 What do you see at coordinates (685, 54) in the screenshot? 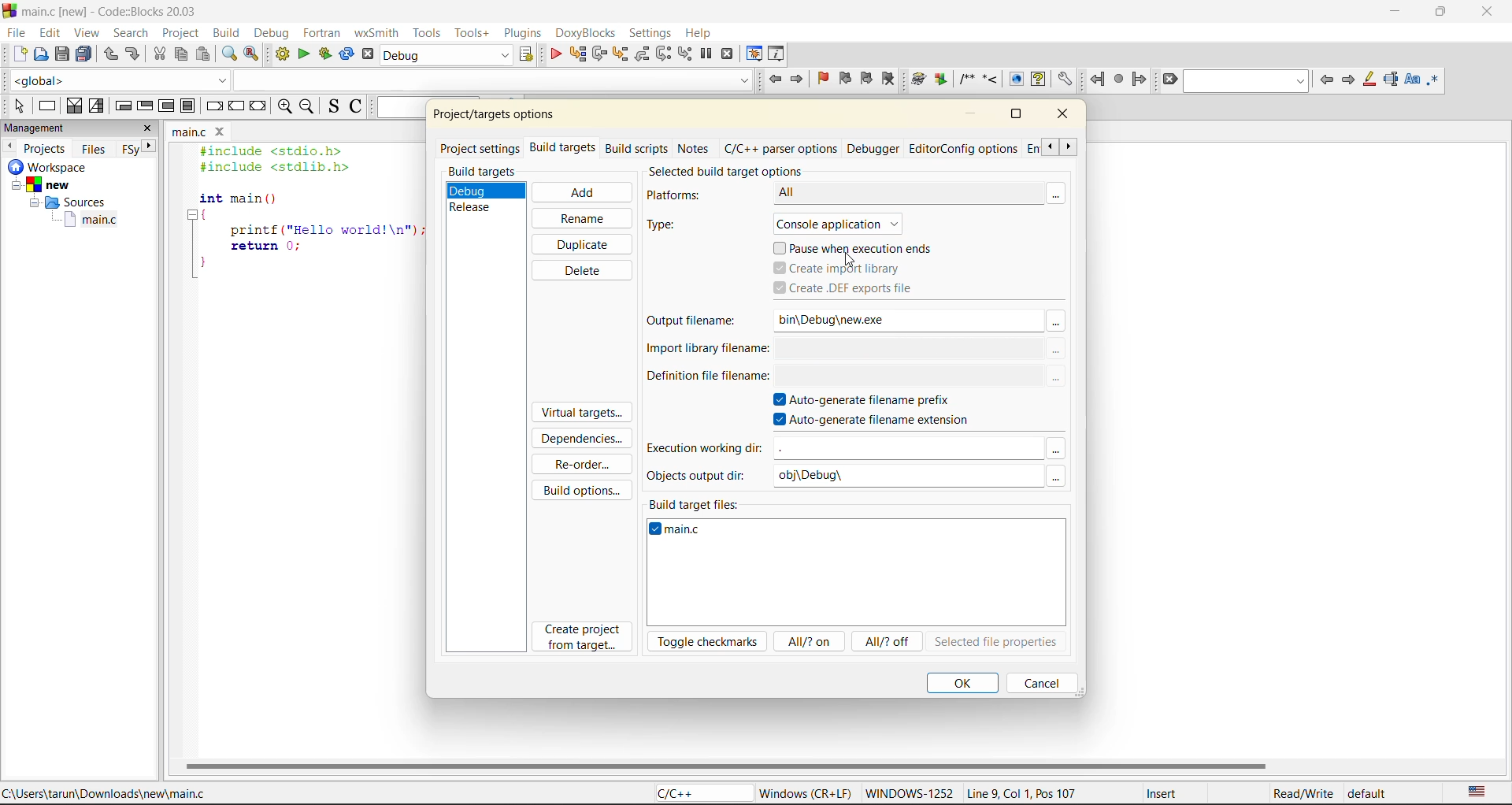
I see `step into instruction` at bounding box center [685, 54].